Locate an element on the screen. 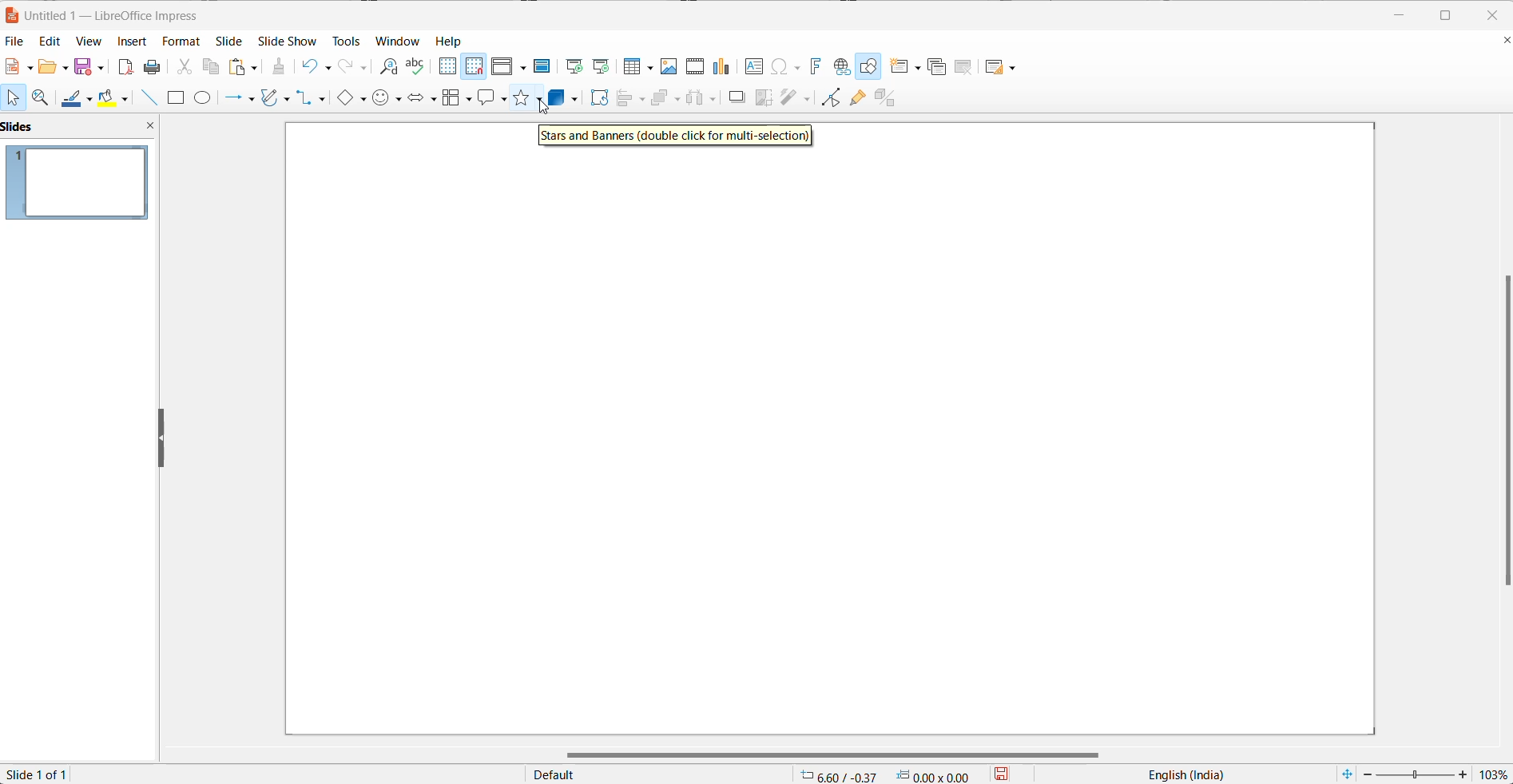 The image size is (1513, 784). print is located at coordinates (155, 66).